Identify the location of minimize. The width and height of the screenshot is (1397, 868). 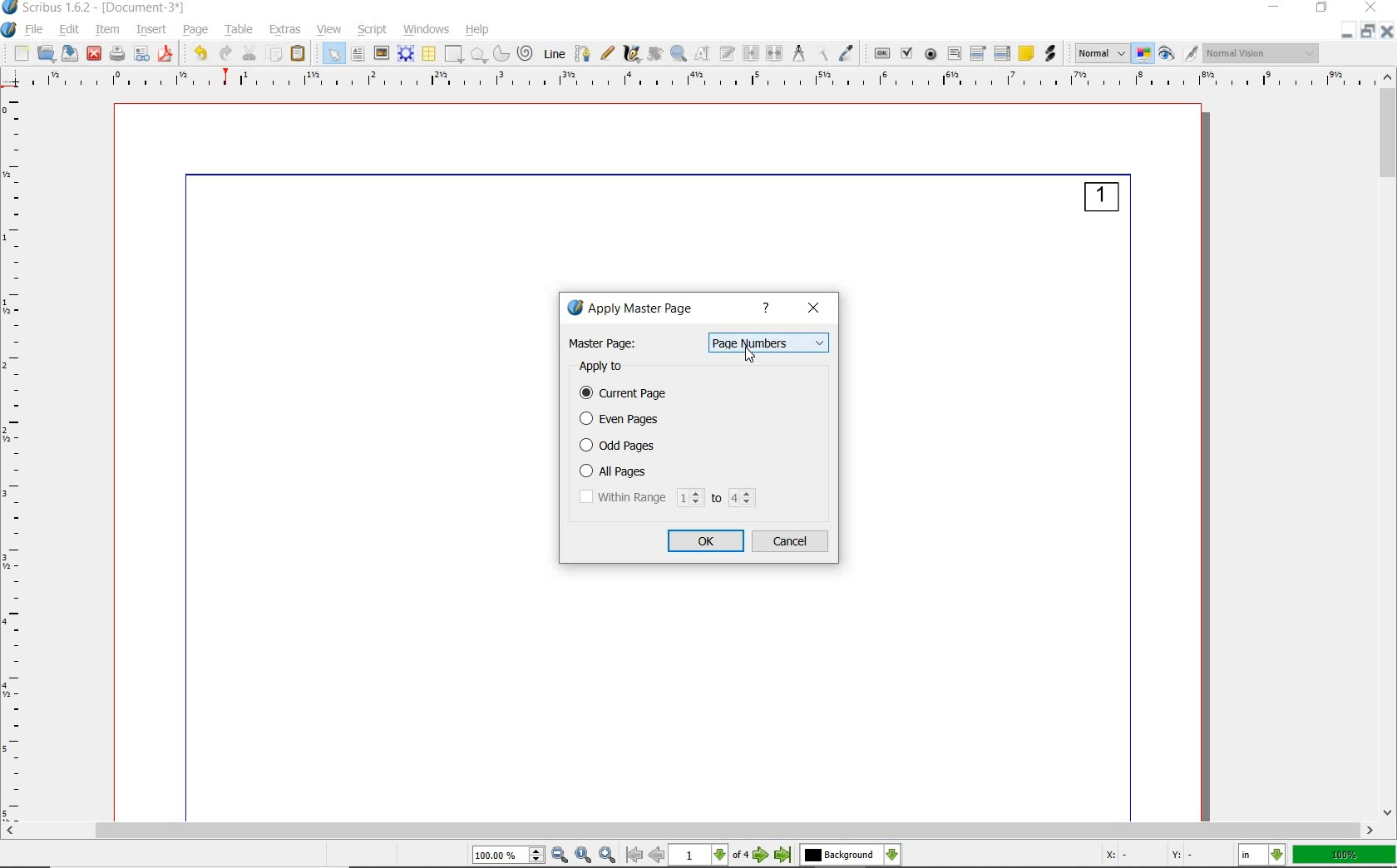
(1277, 7).